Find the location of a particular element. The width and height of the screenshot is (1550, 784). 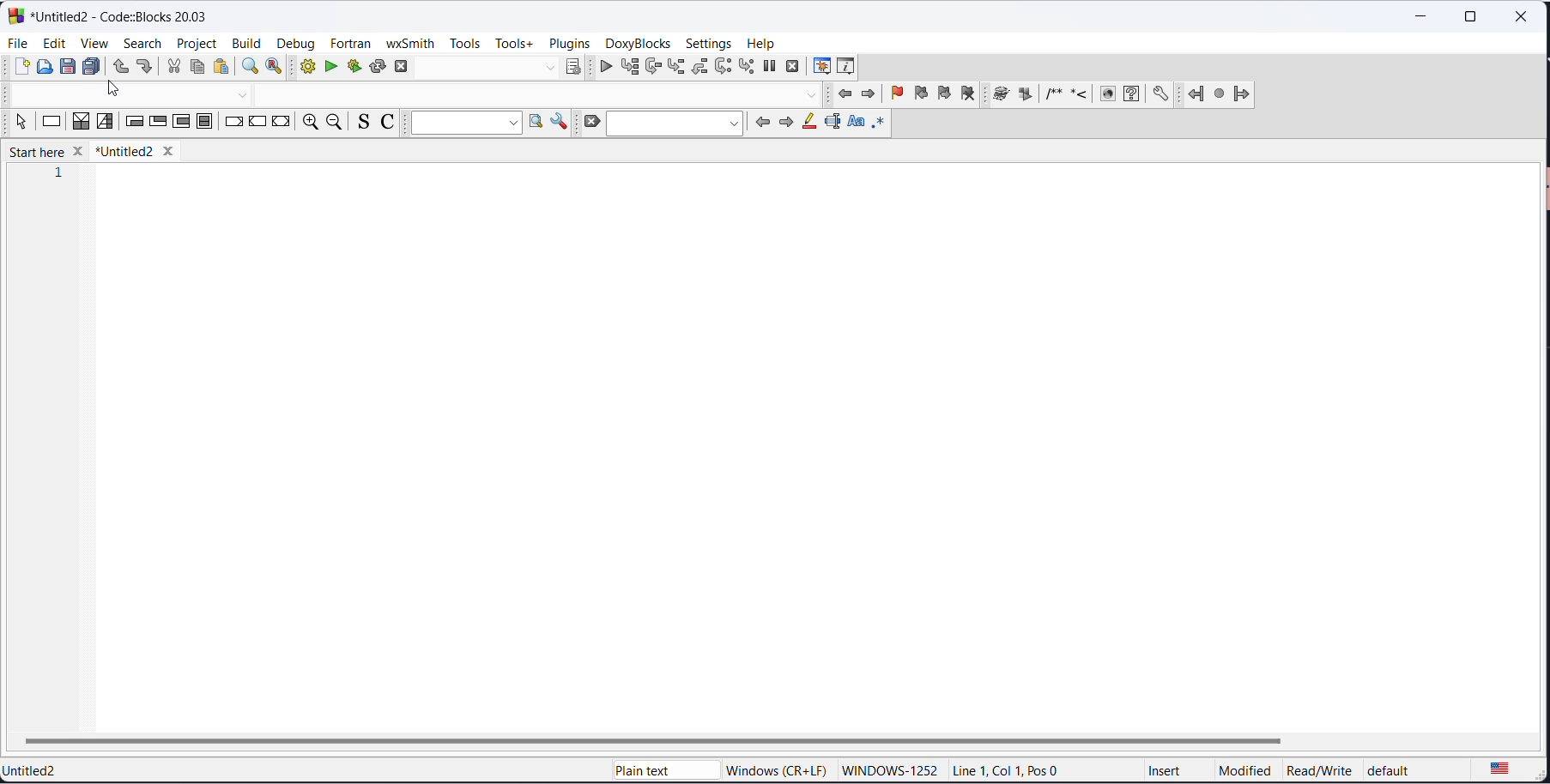

return instruction is located at coordinates (282, 124).